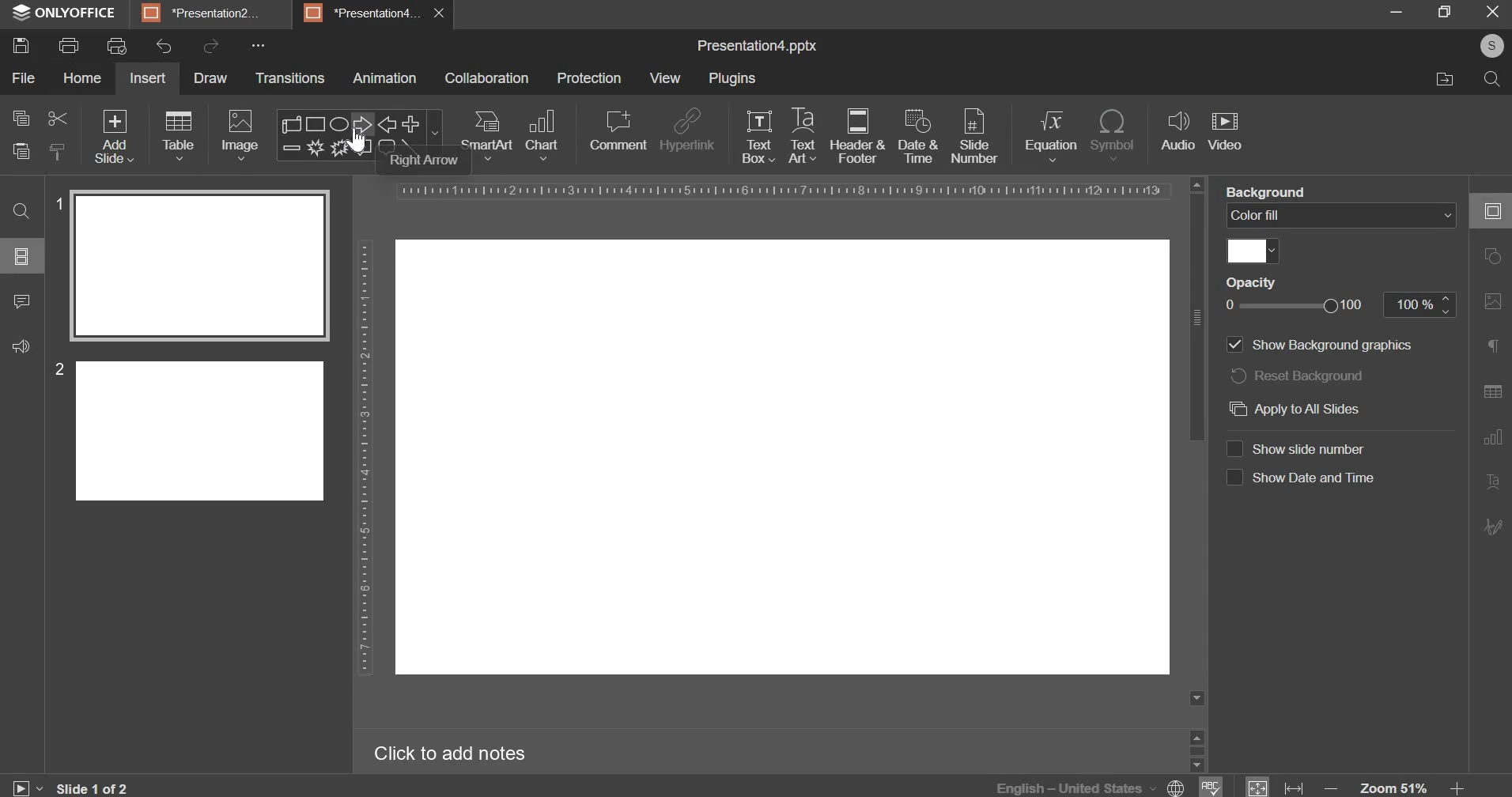 This screenshot has width=1512, height=797. What do you see at coordinates (357, 146) in the screenshot?
I see `cursor` at bounding box center [357, 146].